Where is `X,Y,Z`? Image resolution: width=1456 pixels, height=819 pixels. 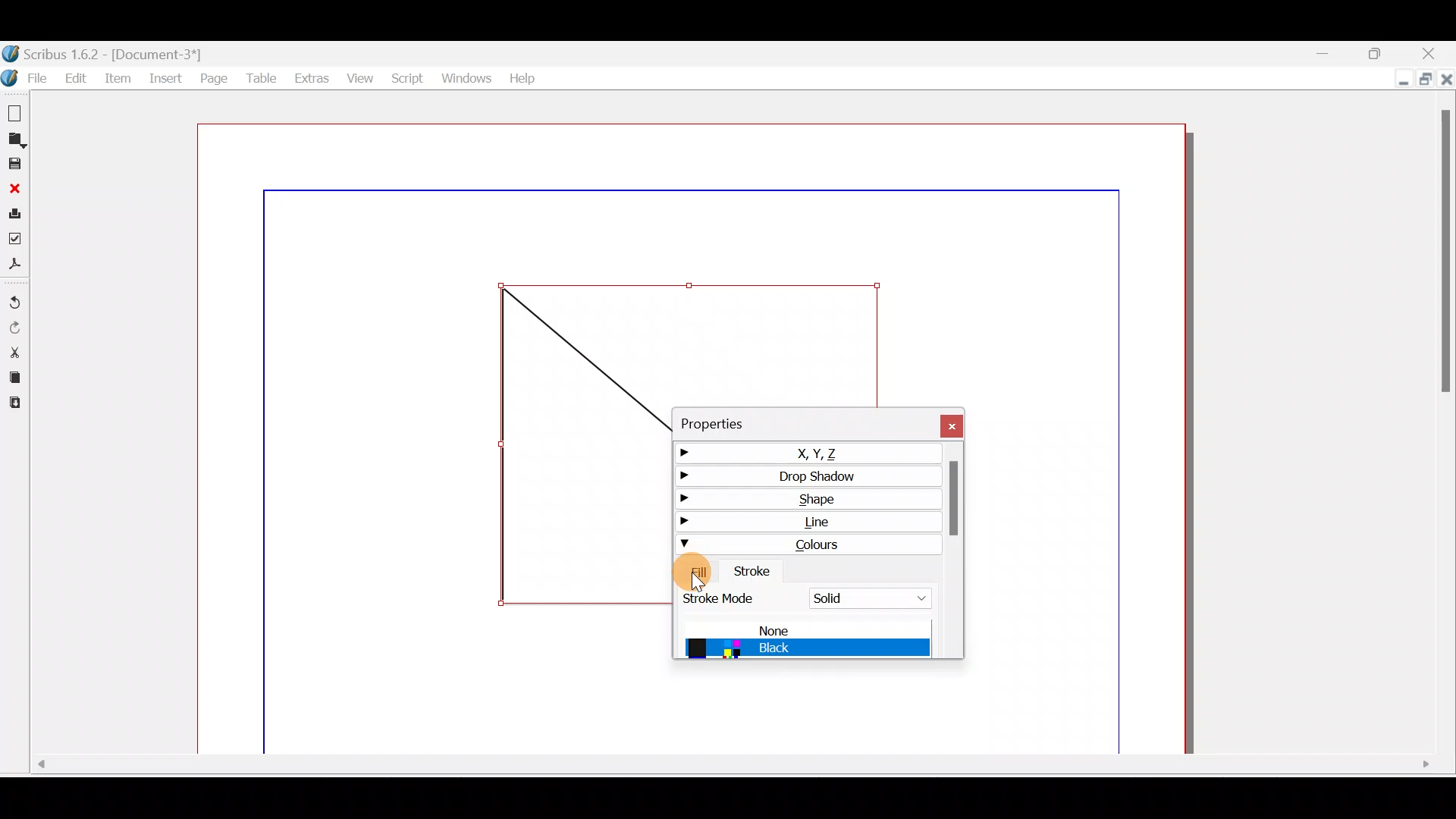 X,Y,Z is located at coordinates (799, 450).